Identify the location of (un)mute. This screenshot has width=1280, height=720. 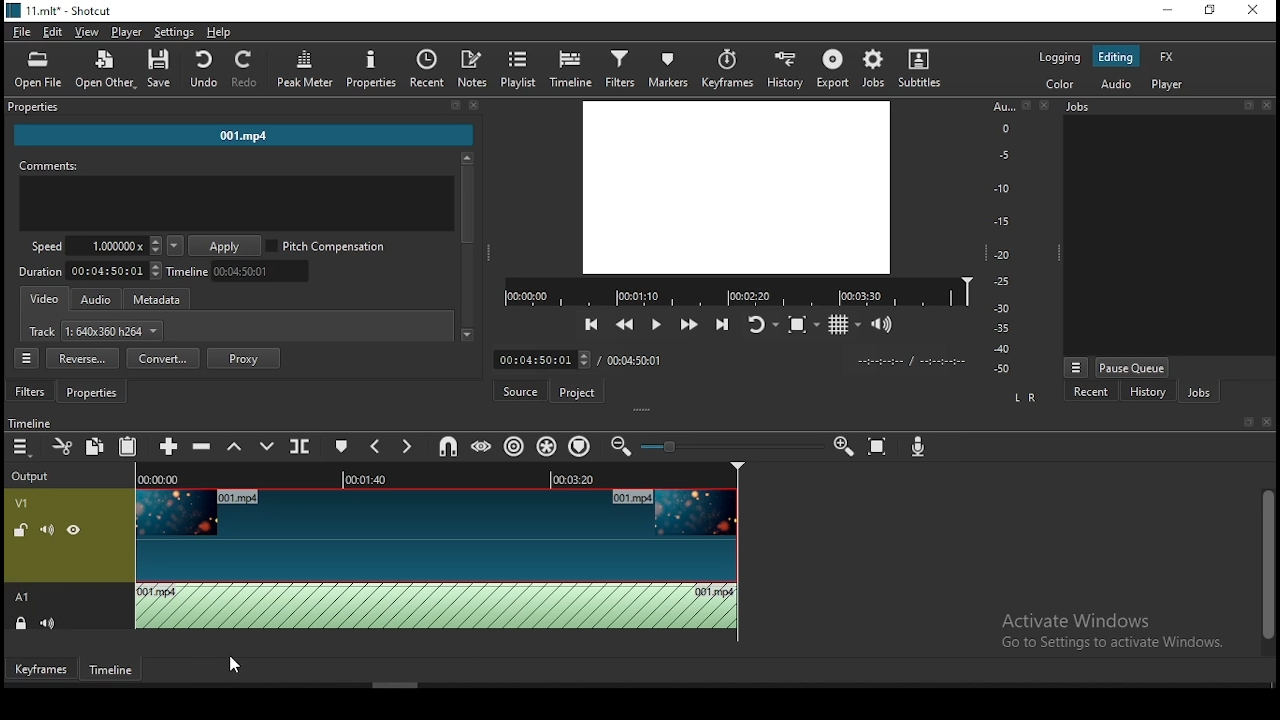
(50, 529).